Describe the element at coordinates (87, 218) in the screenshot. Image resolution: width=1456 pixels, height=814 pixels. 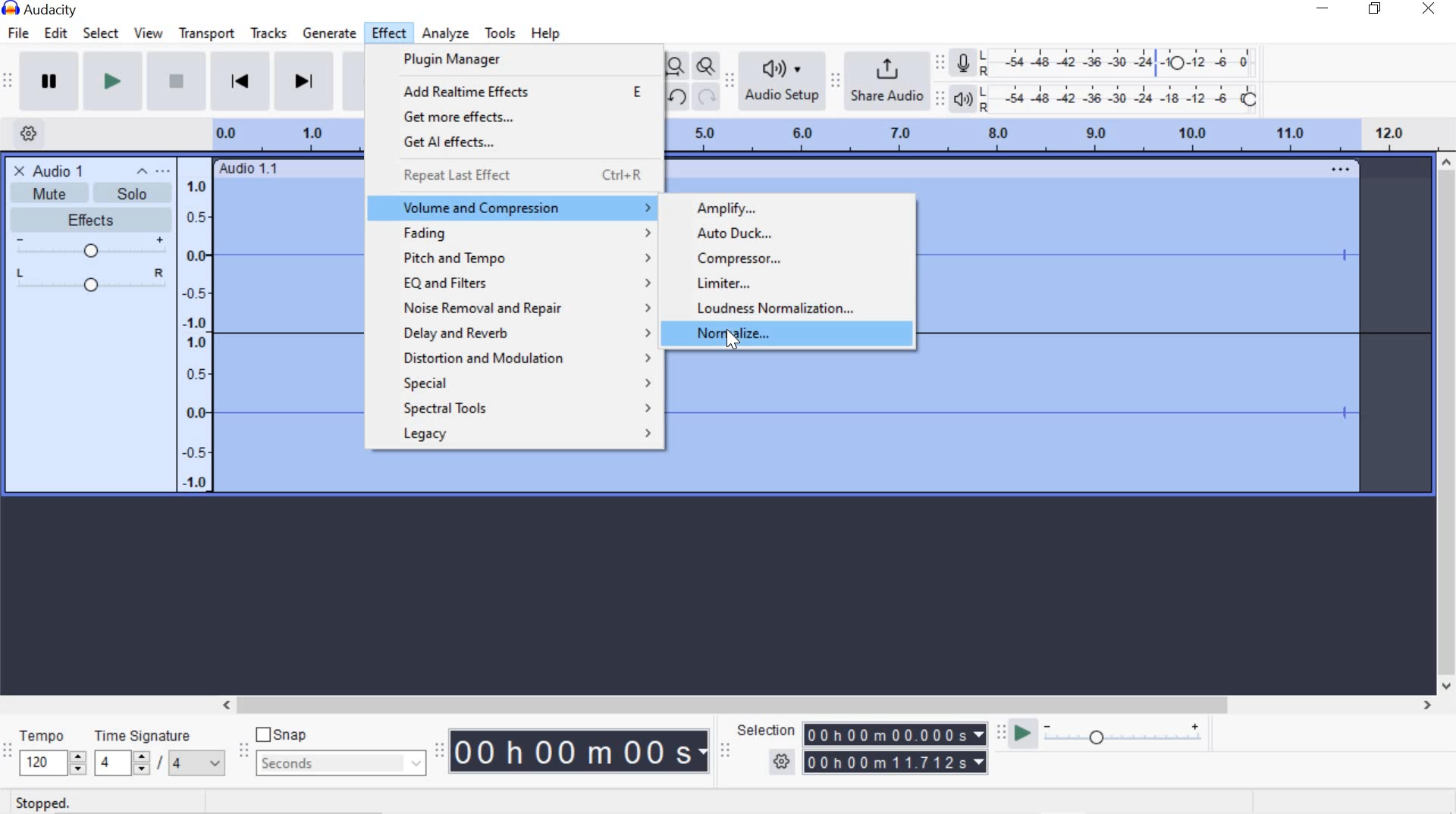
I see `EFFECTS` at that location.